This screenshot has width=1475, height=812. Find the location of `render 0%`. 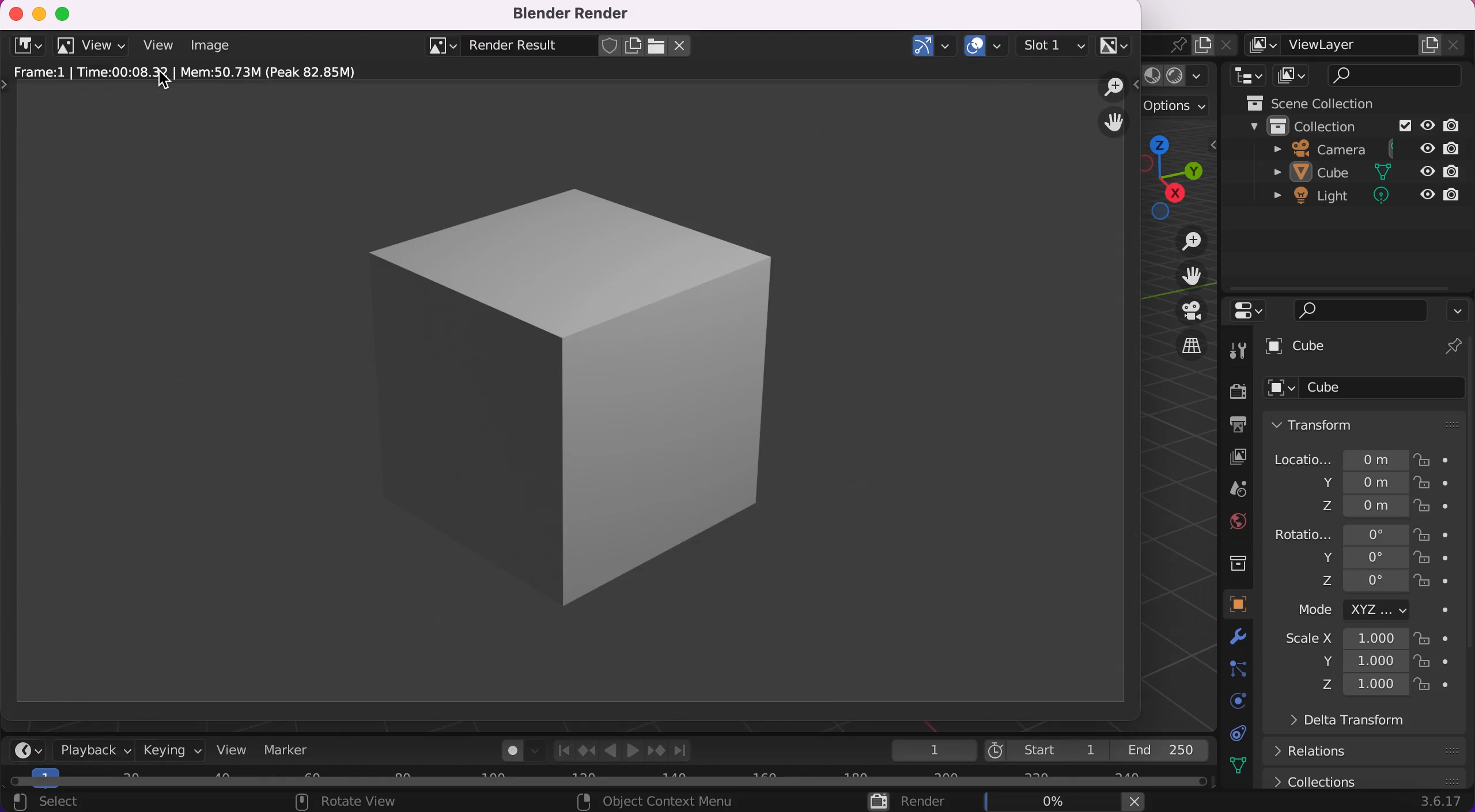

render 0% is located at coordinates (1015, 802).